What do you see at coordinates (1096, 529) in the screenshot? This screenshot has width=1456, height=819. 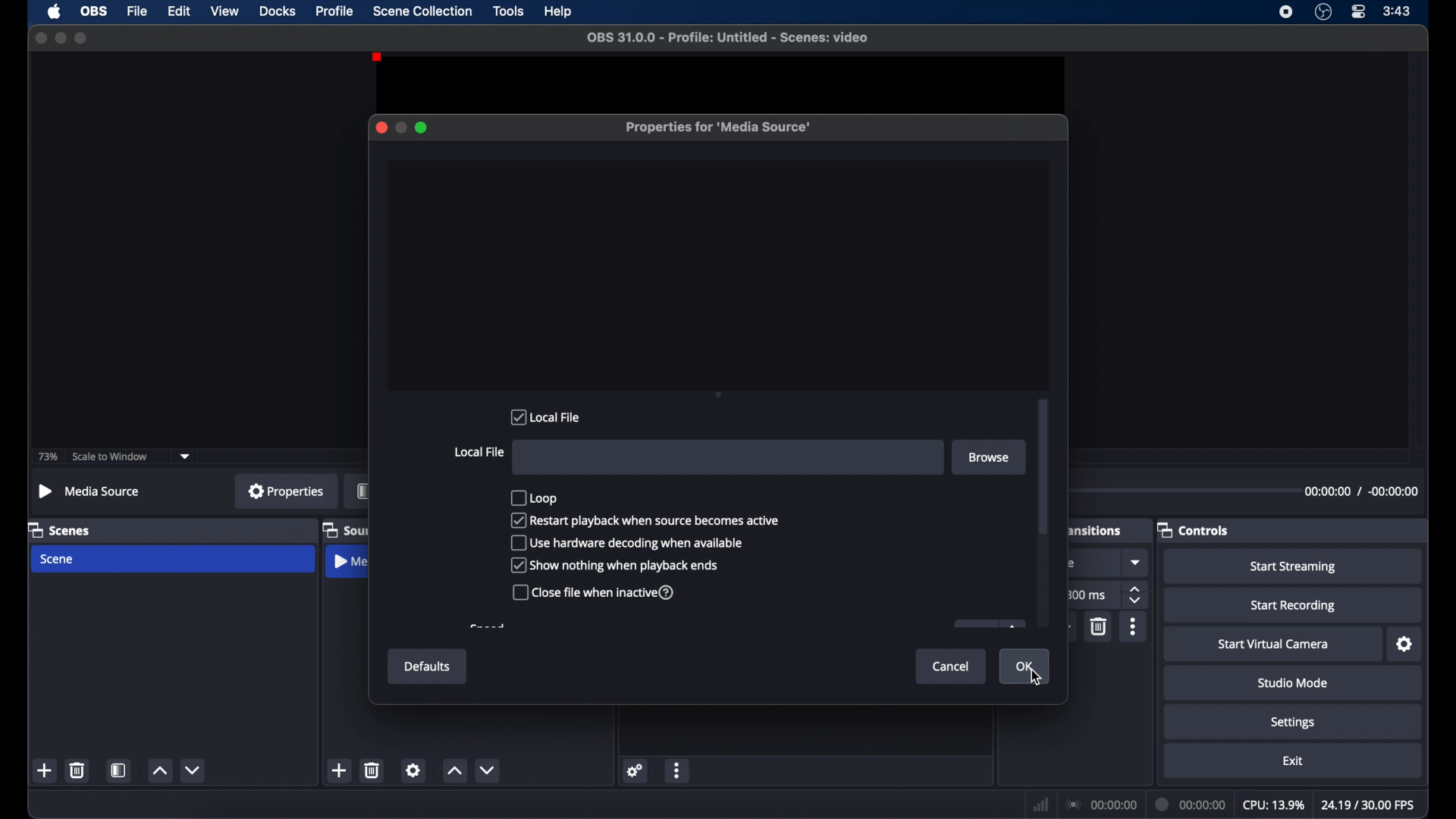 I see `obscure label` at bounding box center [1096, 529].